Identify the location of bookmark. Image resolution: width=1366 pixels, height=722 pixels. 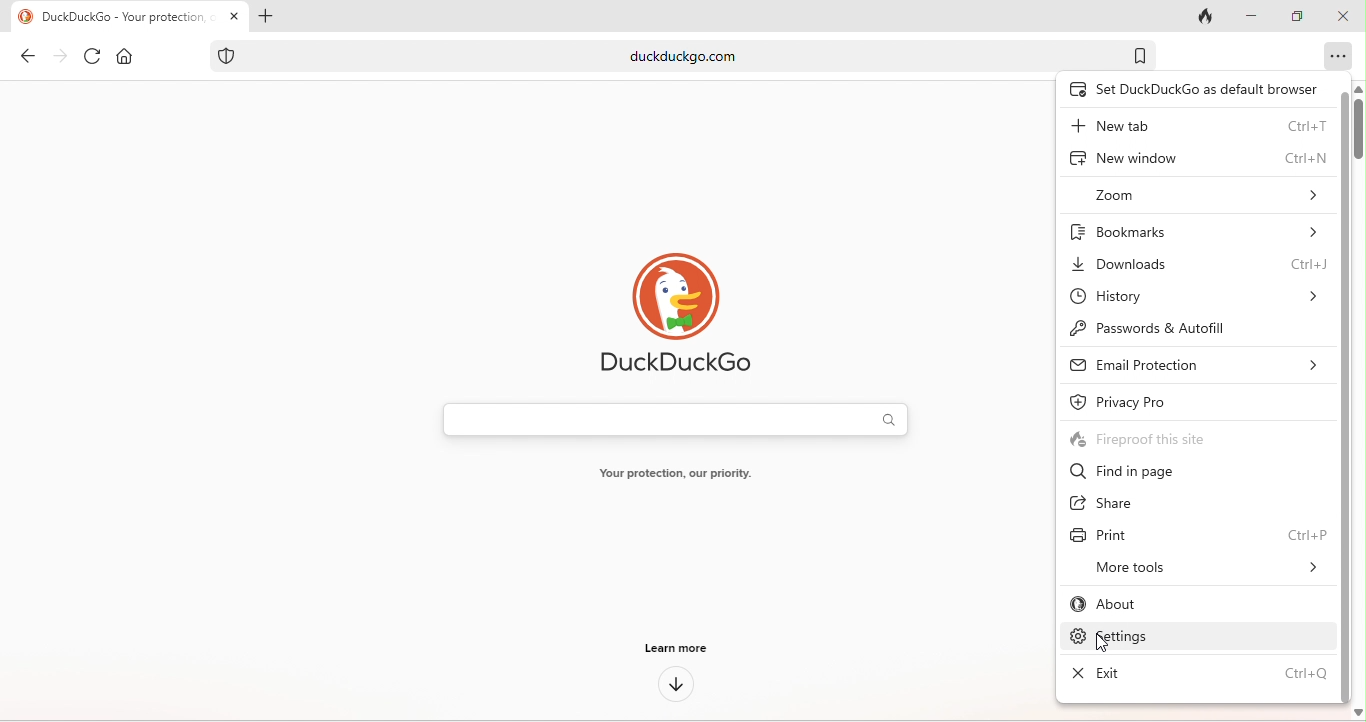
(1142, 55).